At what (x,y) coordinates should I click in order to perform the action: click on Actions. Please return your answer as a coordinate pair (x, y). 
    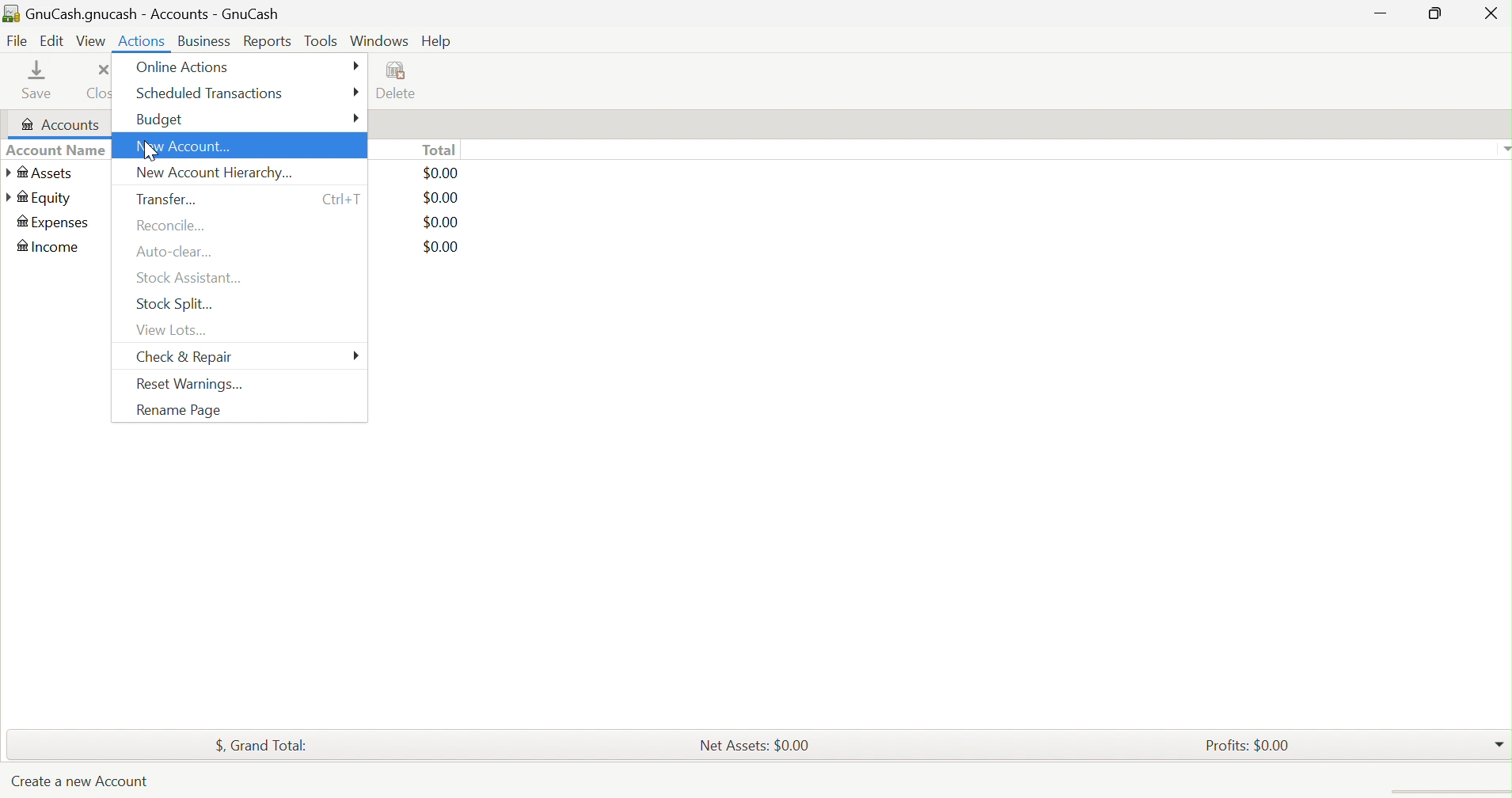
    Looking at the image, I should click on (144, 40).